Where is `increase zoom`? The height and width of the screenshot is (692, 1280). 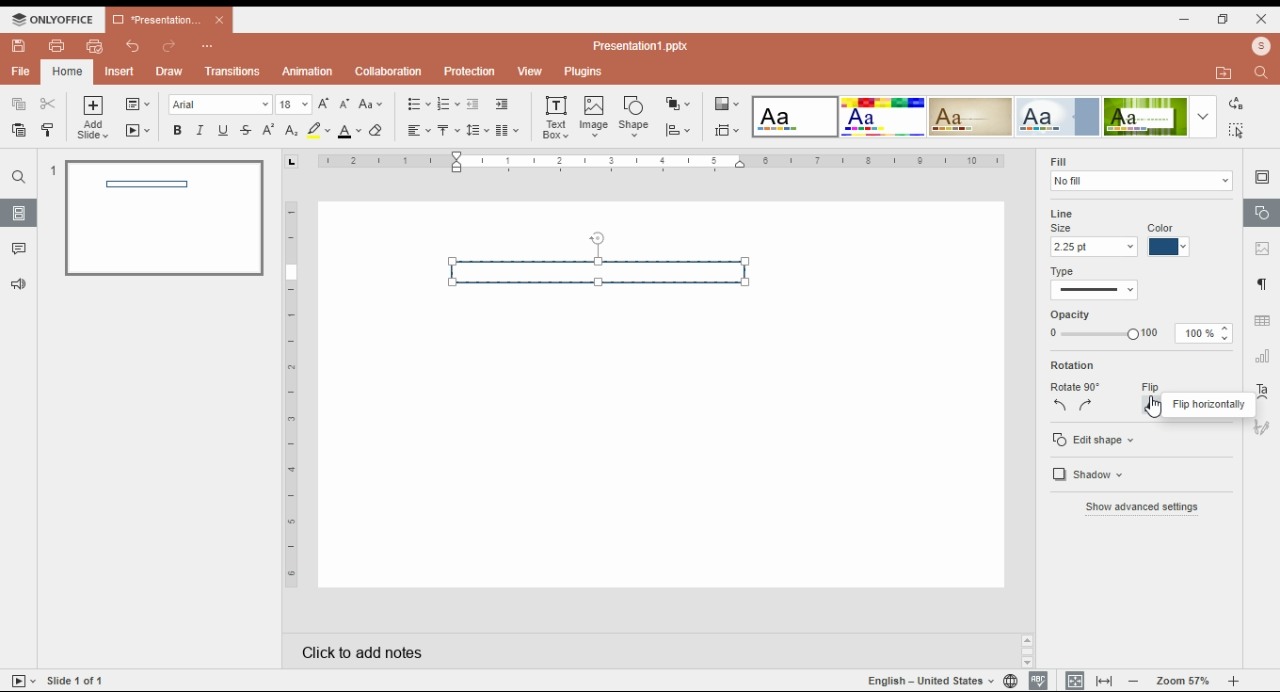
increase zoom is located at coordinates (1234, 681).